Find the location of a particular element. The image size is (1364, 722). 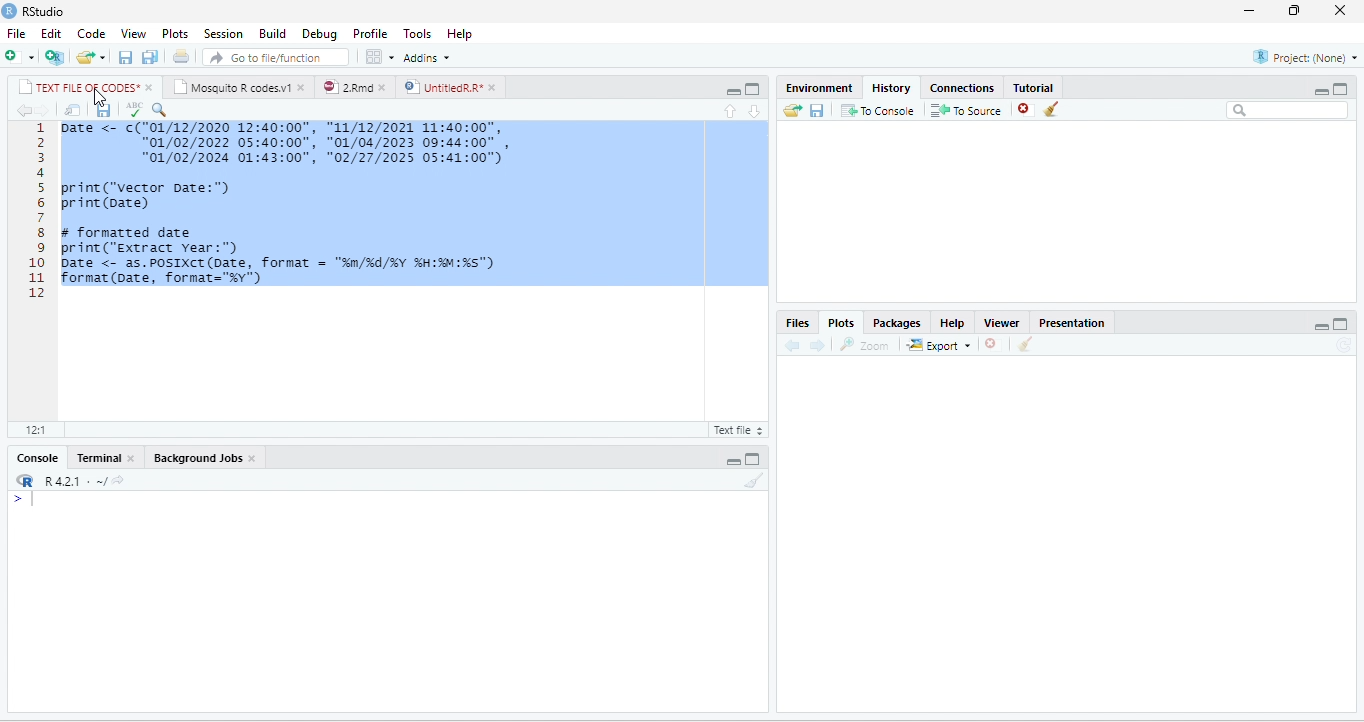

save is located at coordinates (103, 110).